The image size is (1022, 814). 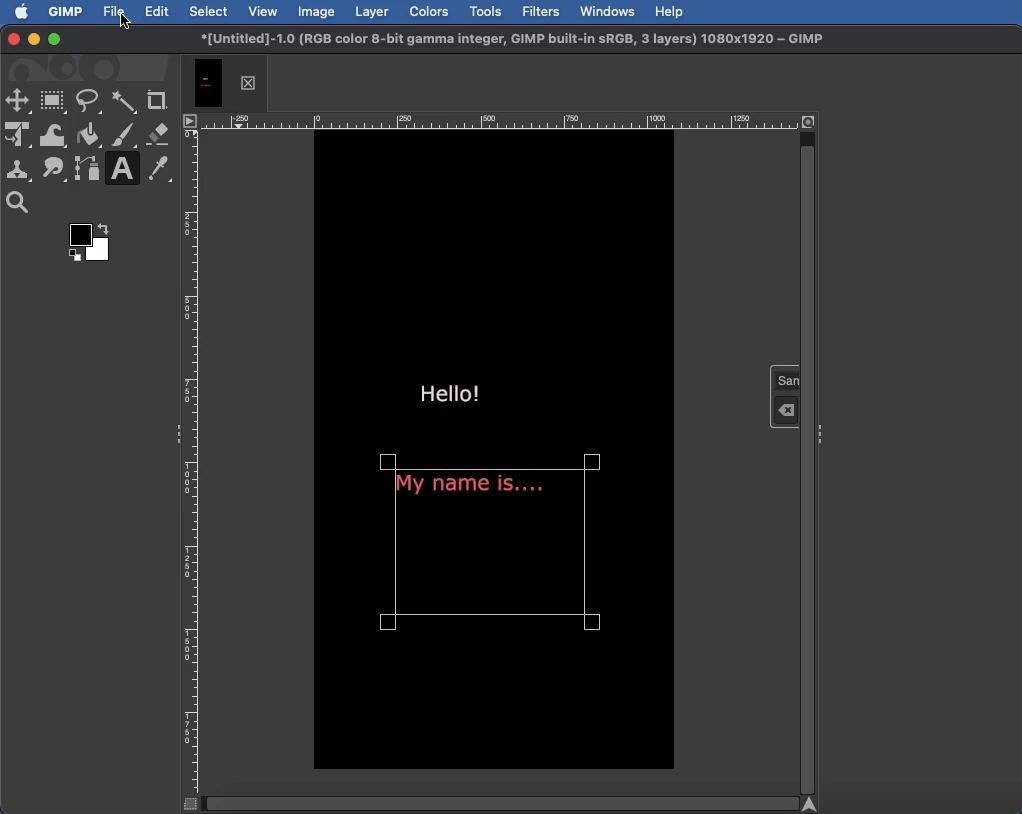 What do you see at coordinates (428, 11) in the screenshot?
I see `Colors` at bounding box center [428, 11].